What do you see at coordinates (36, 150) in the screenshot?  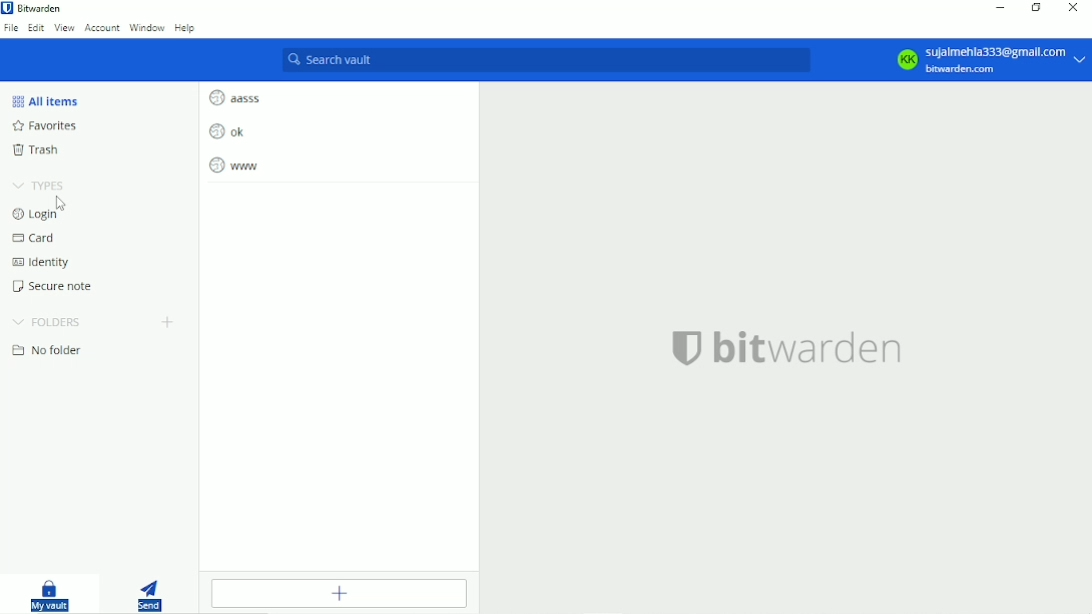 I see `Trash` at bounding box center [36, 150].